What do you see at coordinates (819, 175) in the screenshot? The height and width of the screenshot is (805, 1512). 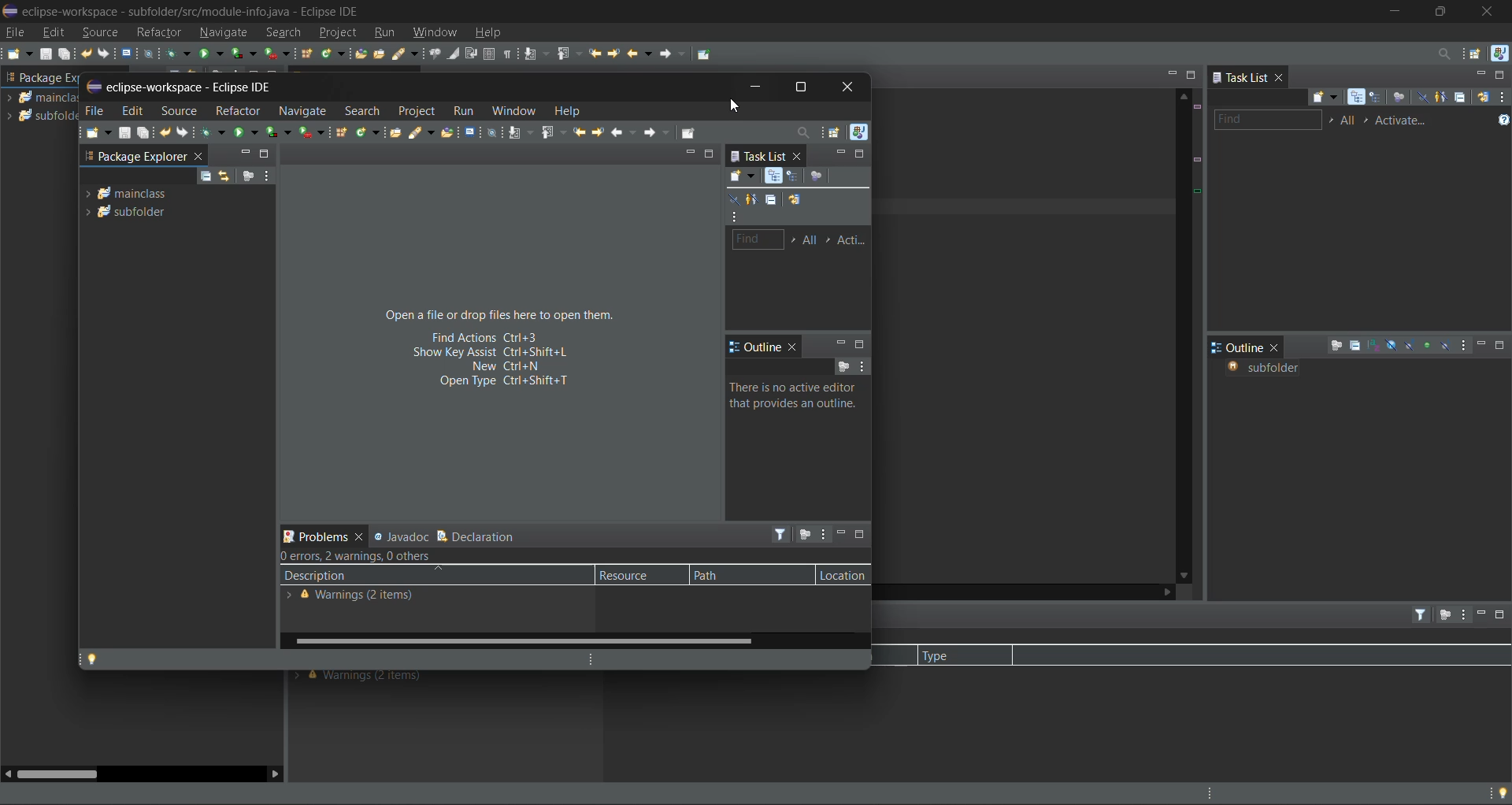 I see `focus on workweek` at bounding box center [819, 175].